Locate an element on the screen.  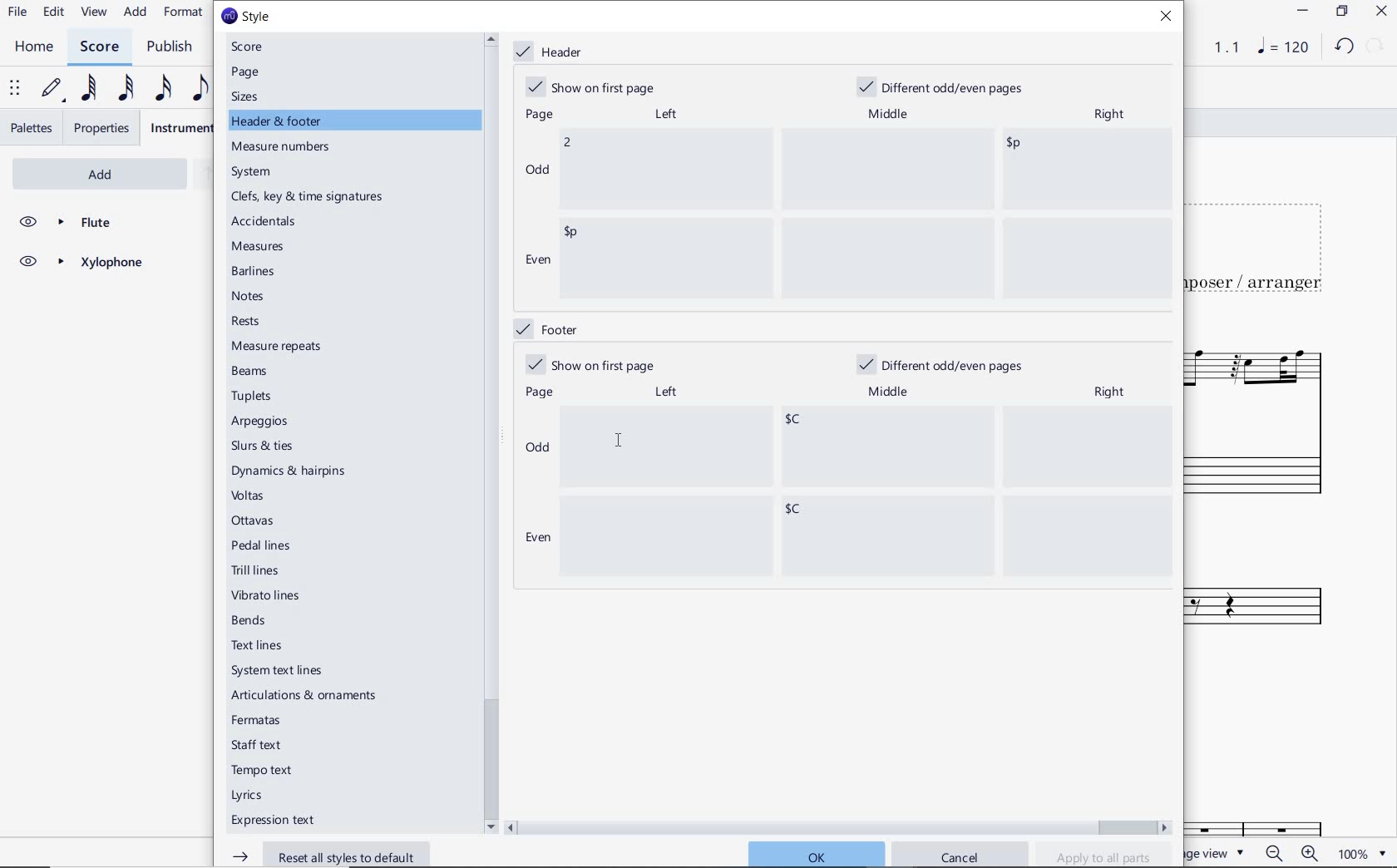
different odd/even is located at coordinates (942, 367).